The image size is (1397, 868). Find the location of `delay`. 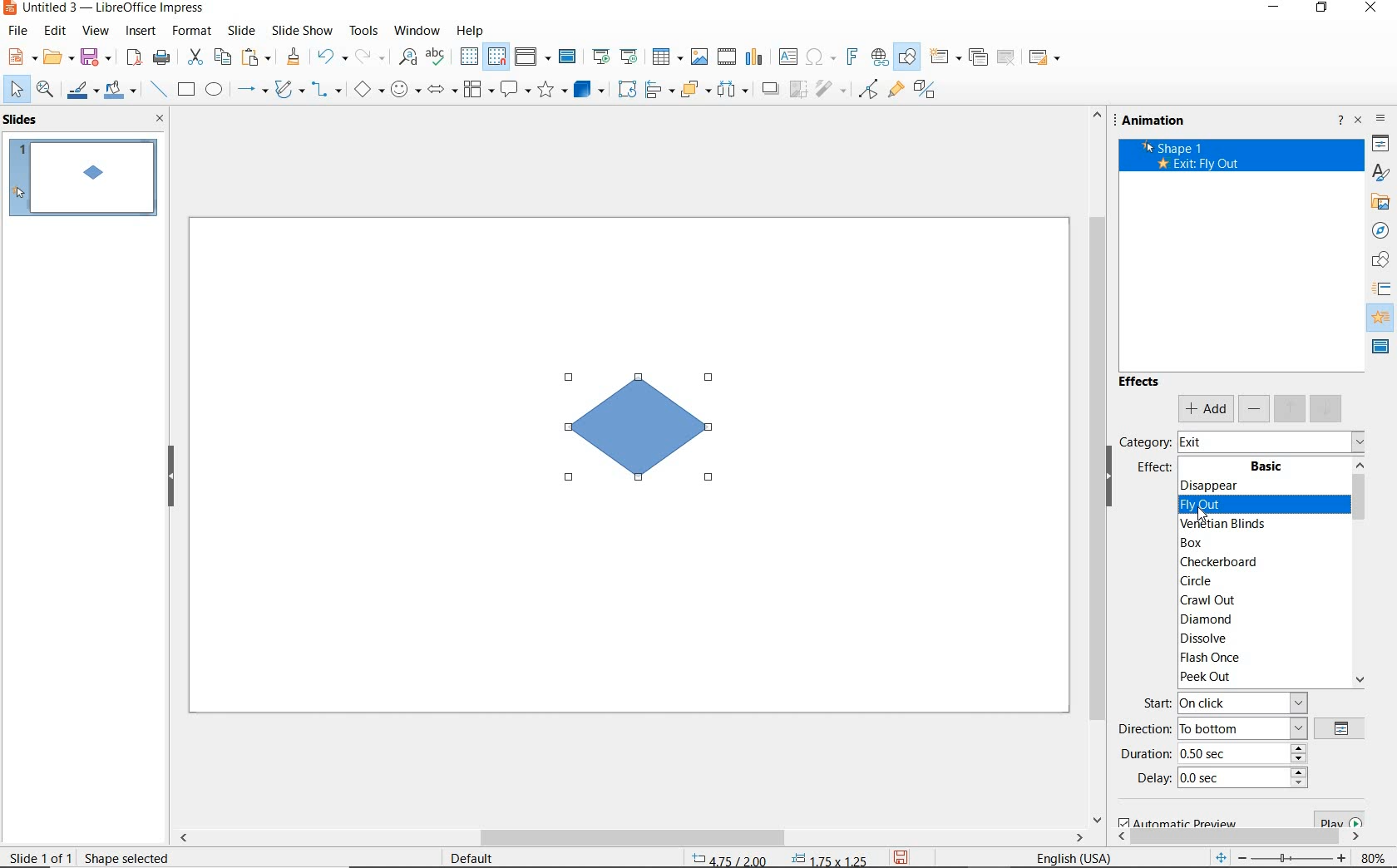

delay is located at coordinates (1222, 782).